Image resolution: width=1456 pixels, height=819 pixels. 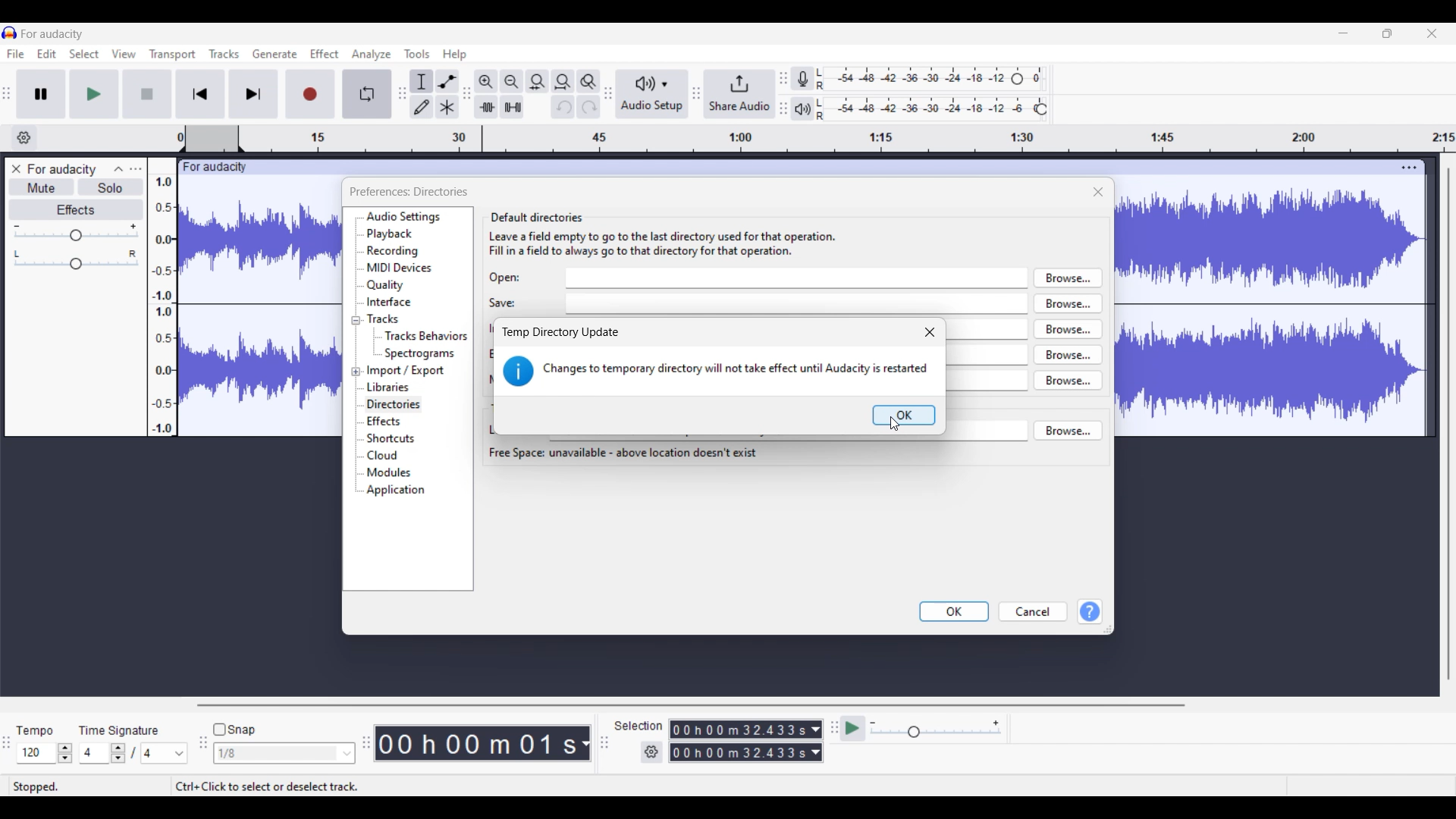 What do you see at coordinates (392, 251) in the screenshot?
I see `Recording` at bounding box center [392, 251].